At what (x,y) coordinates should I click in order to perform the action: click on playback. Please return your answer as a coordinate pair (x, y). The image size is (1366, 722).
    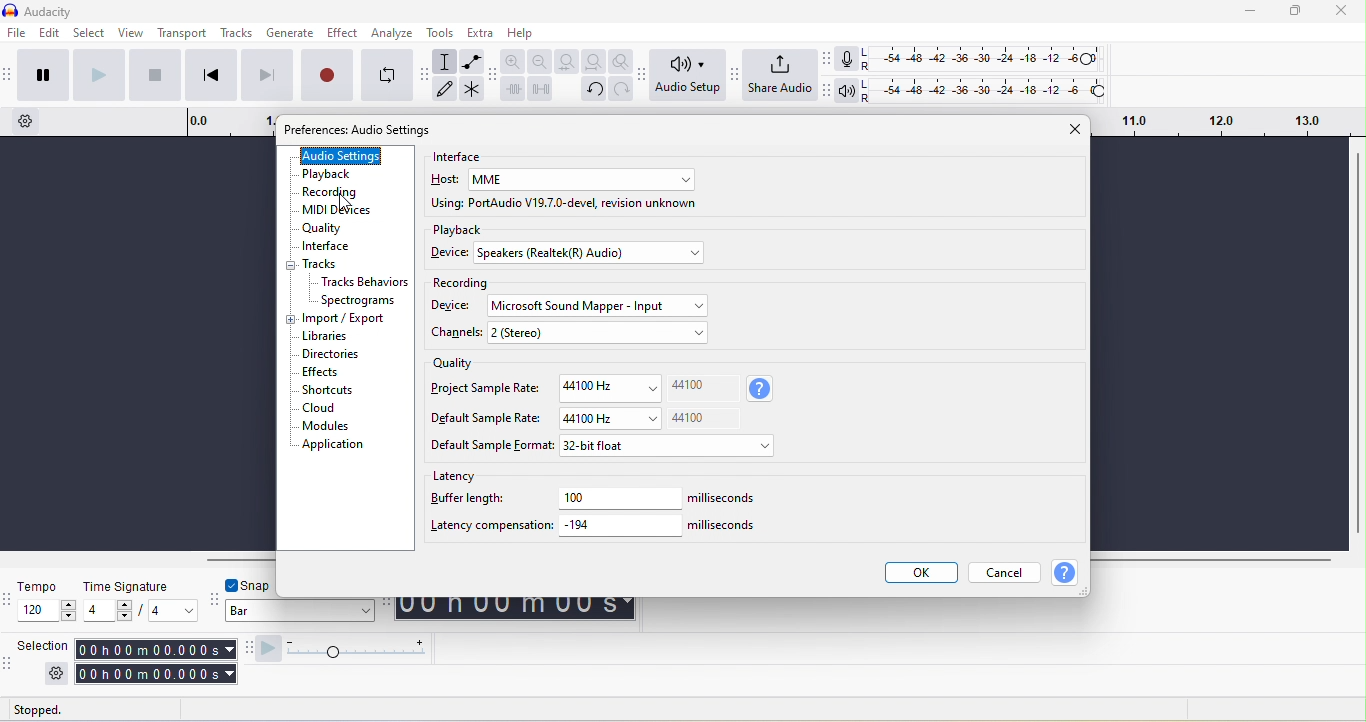
    Looking at the image, I should click on (462, 228).